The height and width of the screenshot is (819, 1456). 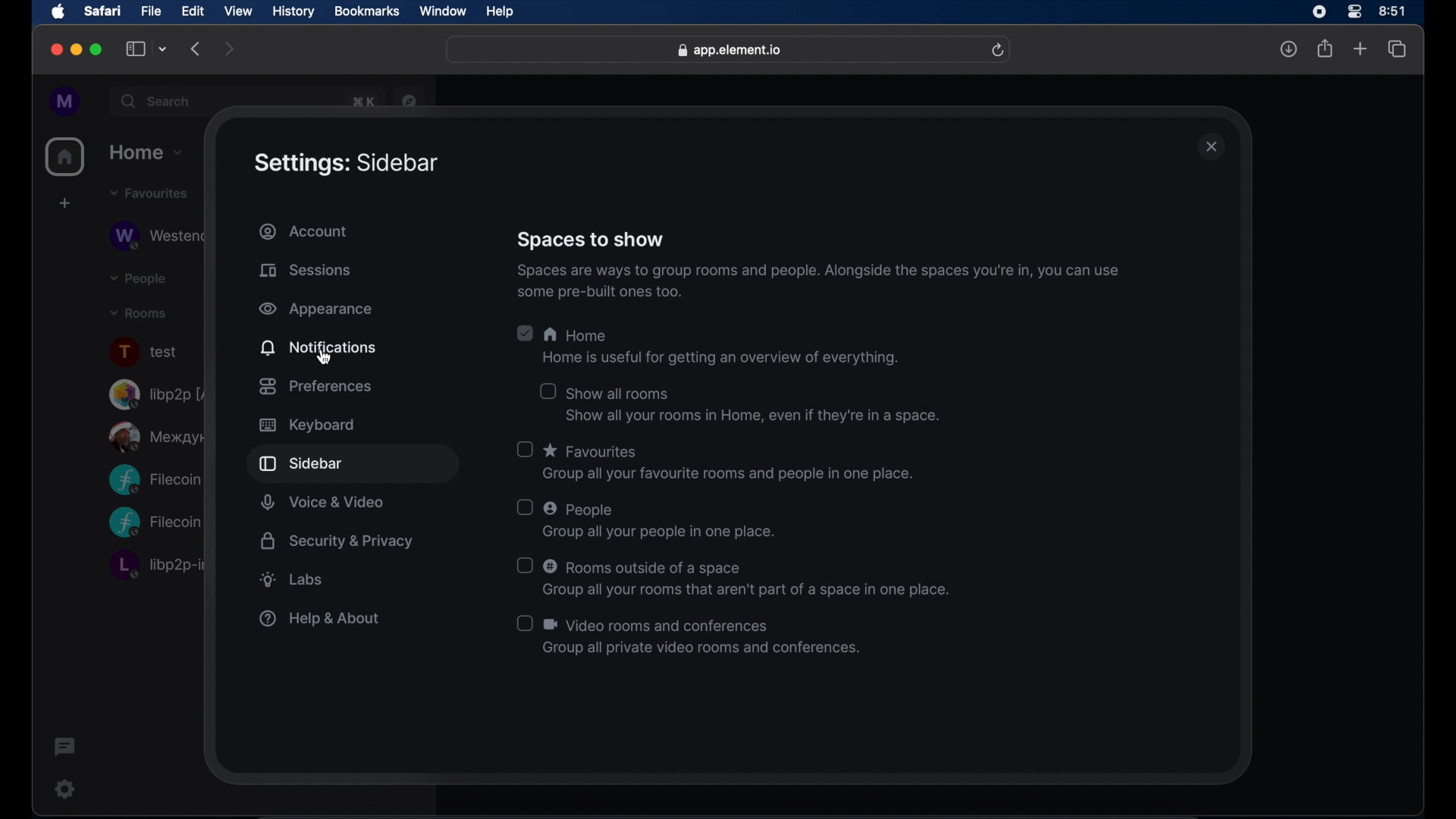 I want to click on UJ © People
Group all your people in one place., so click(x=657, y=520).